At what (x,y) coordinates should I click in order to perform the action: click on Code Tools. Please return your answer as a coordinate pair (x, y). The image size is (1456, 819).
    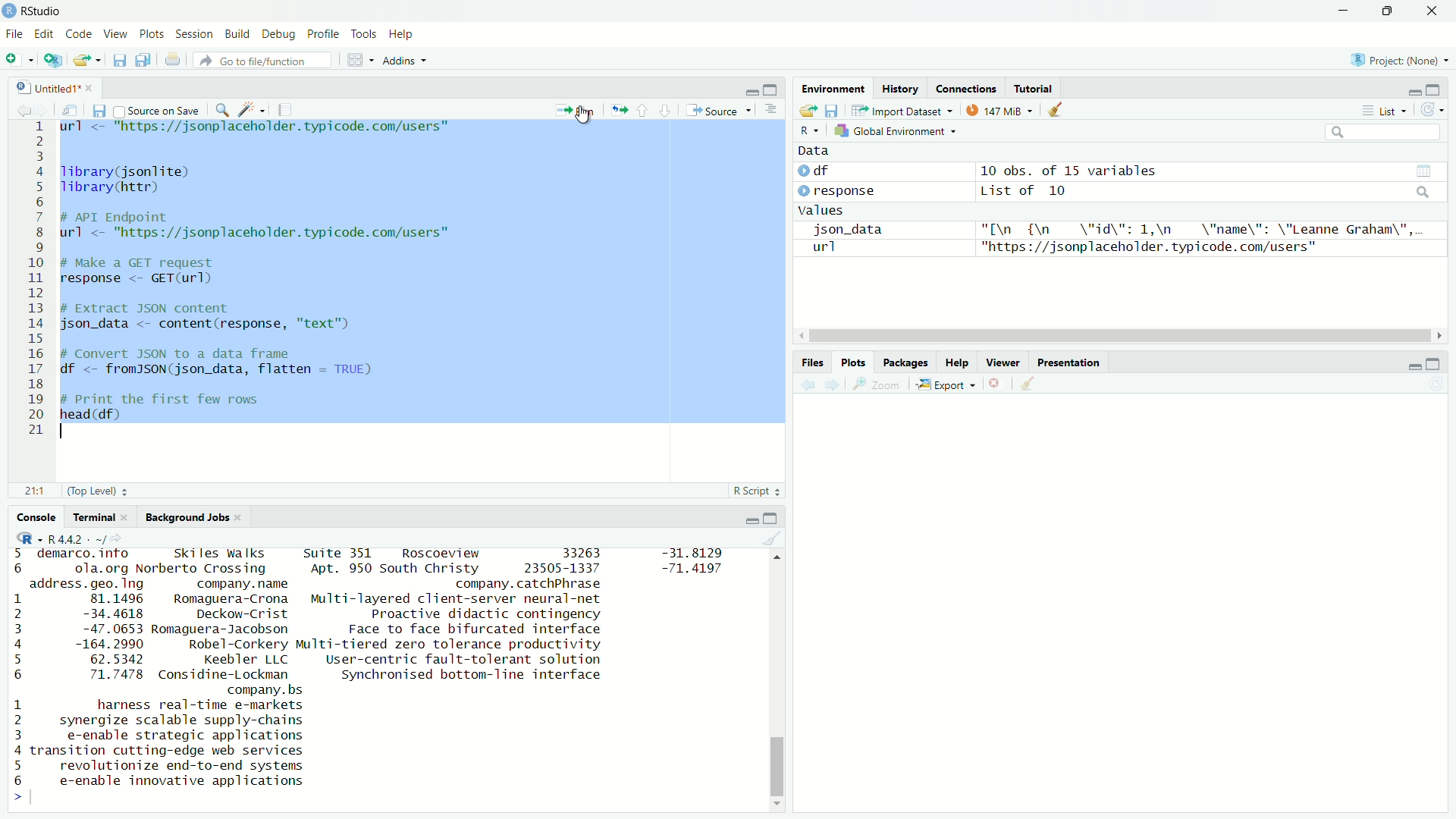
    Looking at the image, I should click on (252, 110).